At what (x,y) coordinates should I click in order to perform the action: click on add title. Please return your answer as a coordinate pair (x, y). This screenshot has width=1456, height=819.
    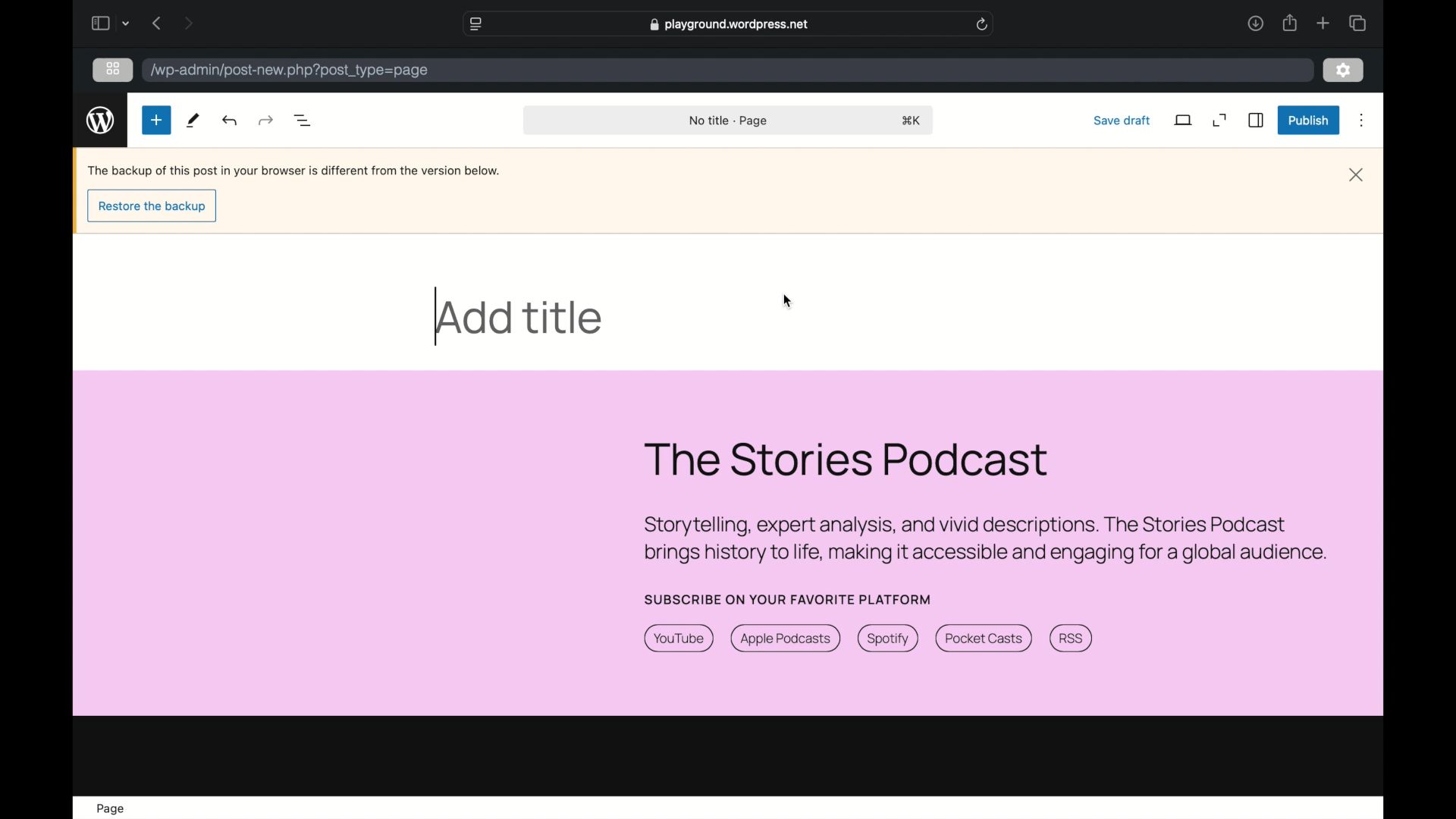
    Looking at the image, I should click on (522, 317).